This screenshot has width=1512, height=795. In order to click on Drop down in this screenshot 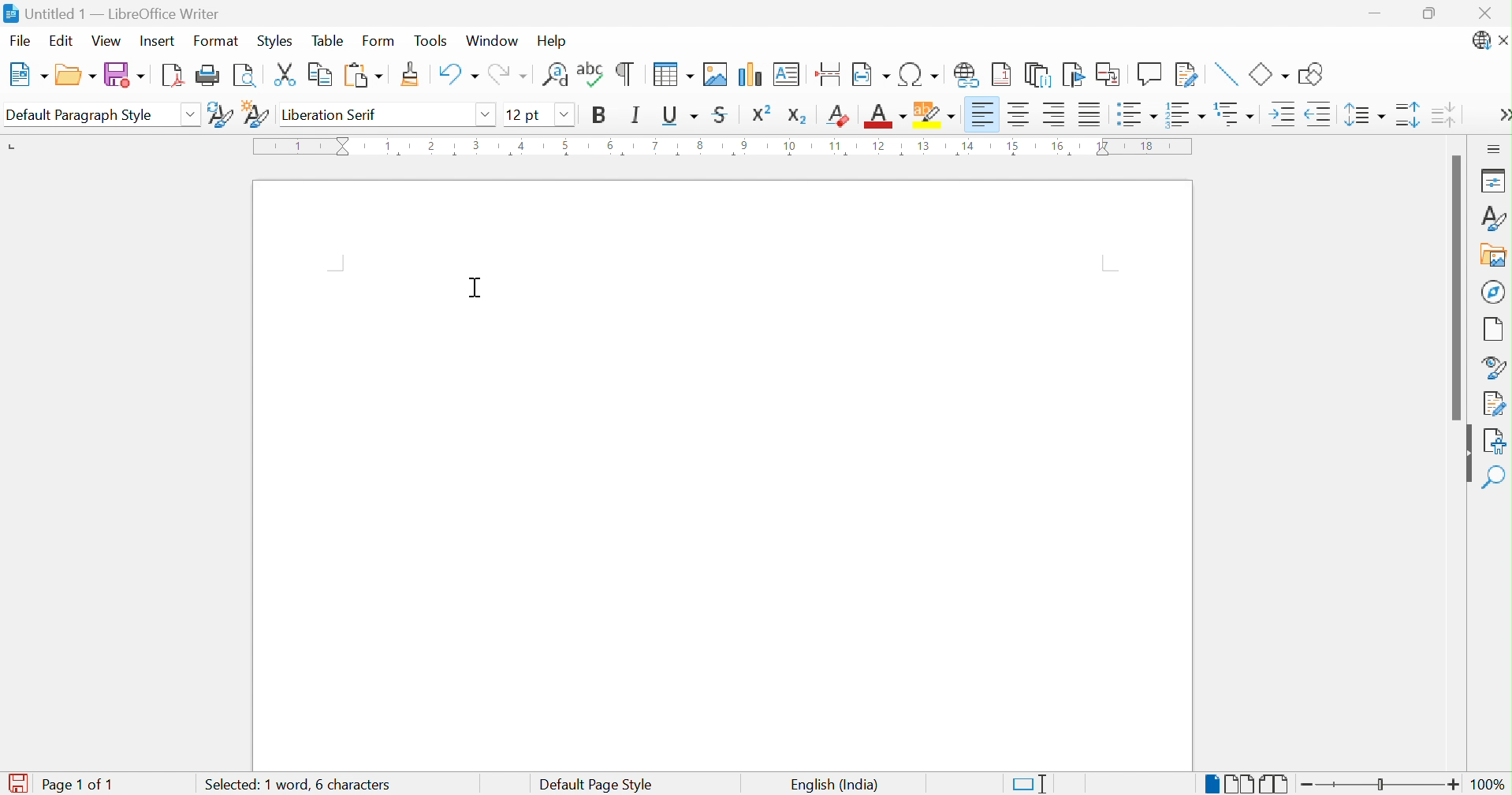, I will do `click(484, 114)`.